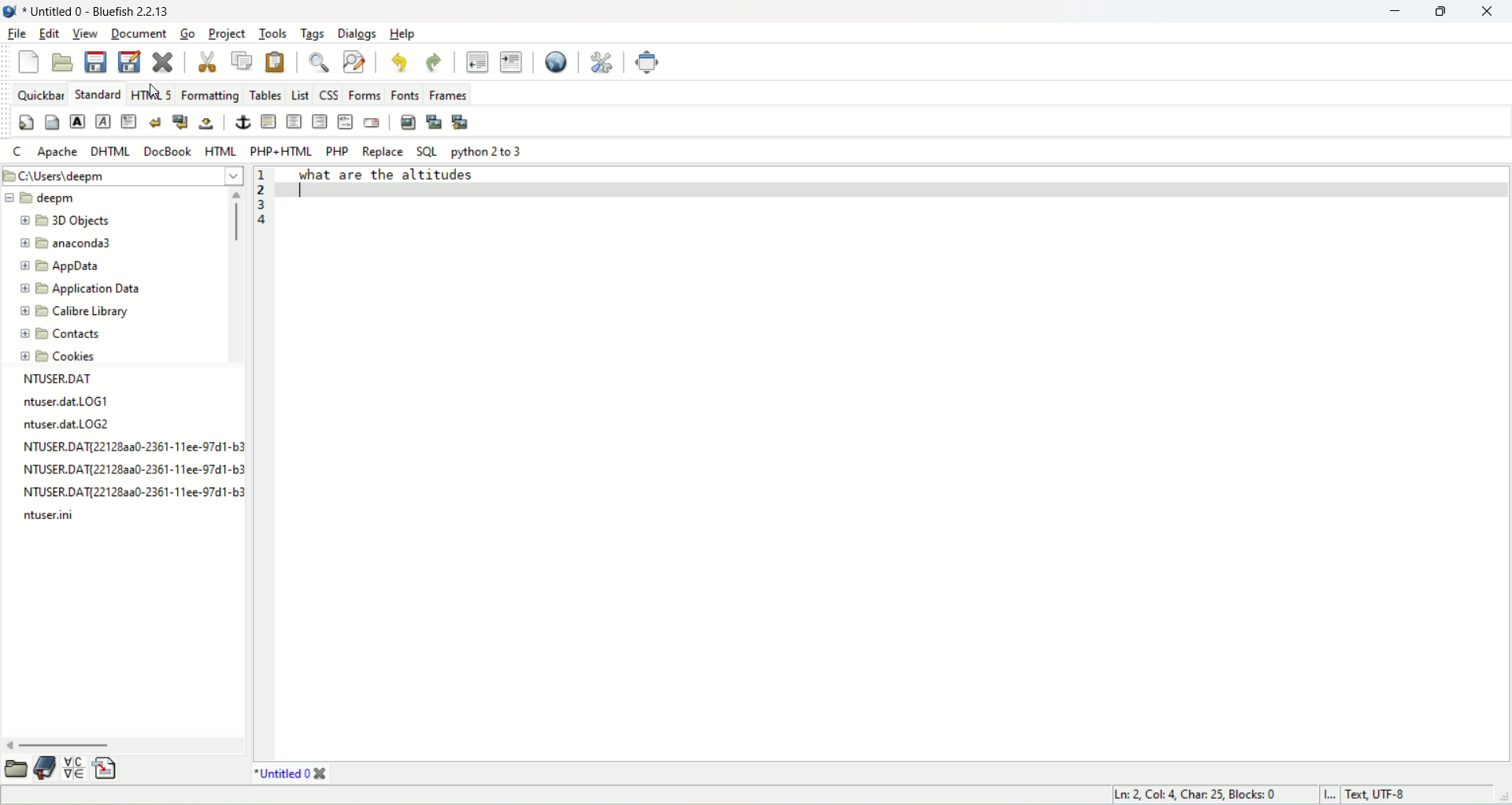 The height and width of the screenshot is (805, 1512). What do you see at coordinates (84, 32) in the screenshot?
I see `view` at bounding box center [84, 32].